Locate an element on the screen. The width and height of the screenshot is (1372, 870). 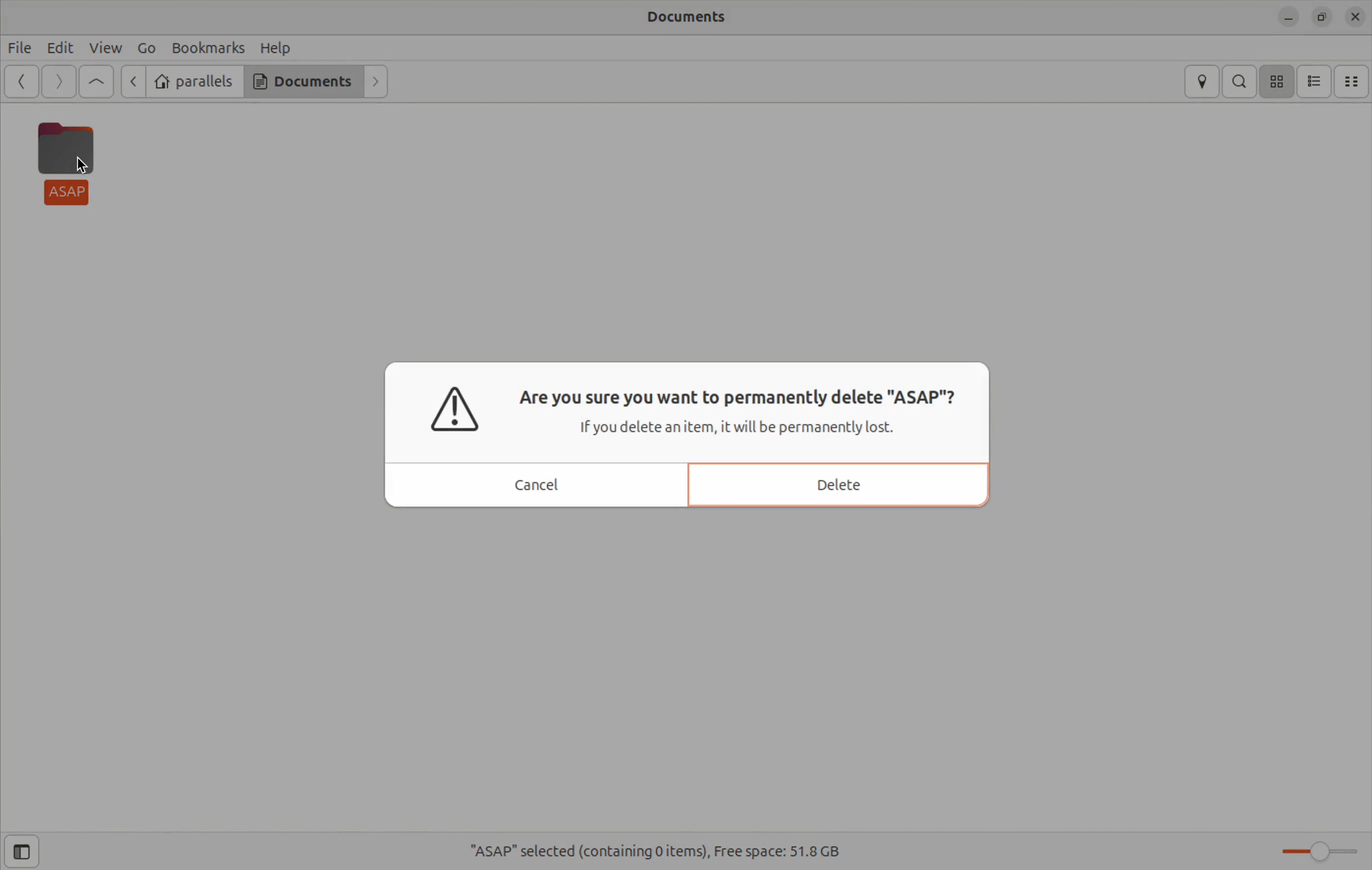
open sidebar is located at coordinates (29, 852).